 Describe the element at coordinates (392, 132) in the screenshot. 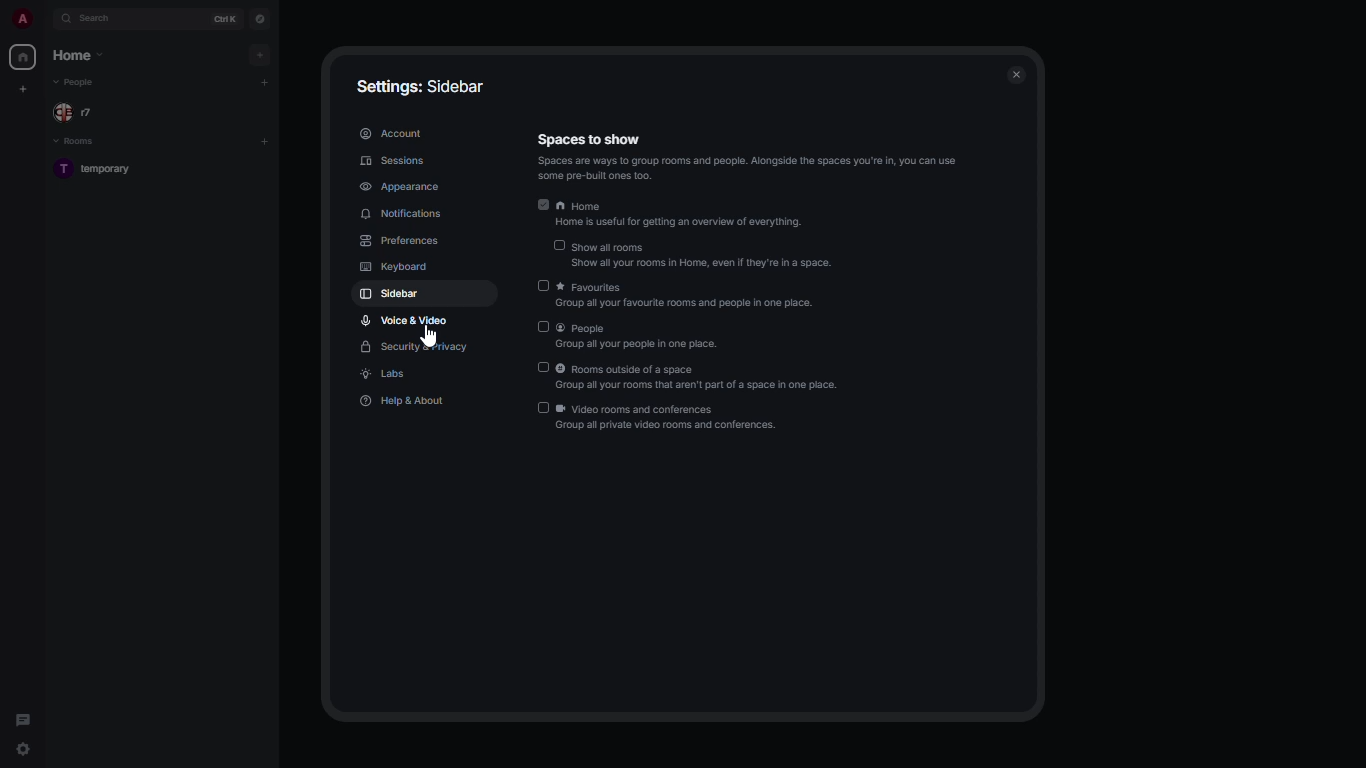

I see `account` at that location.